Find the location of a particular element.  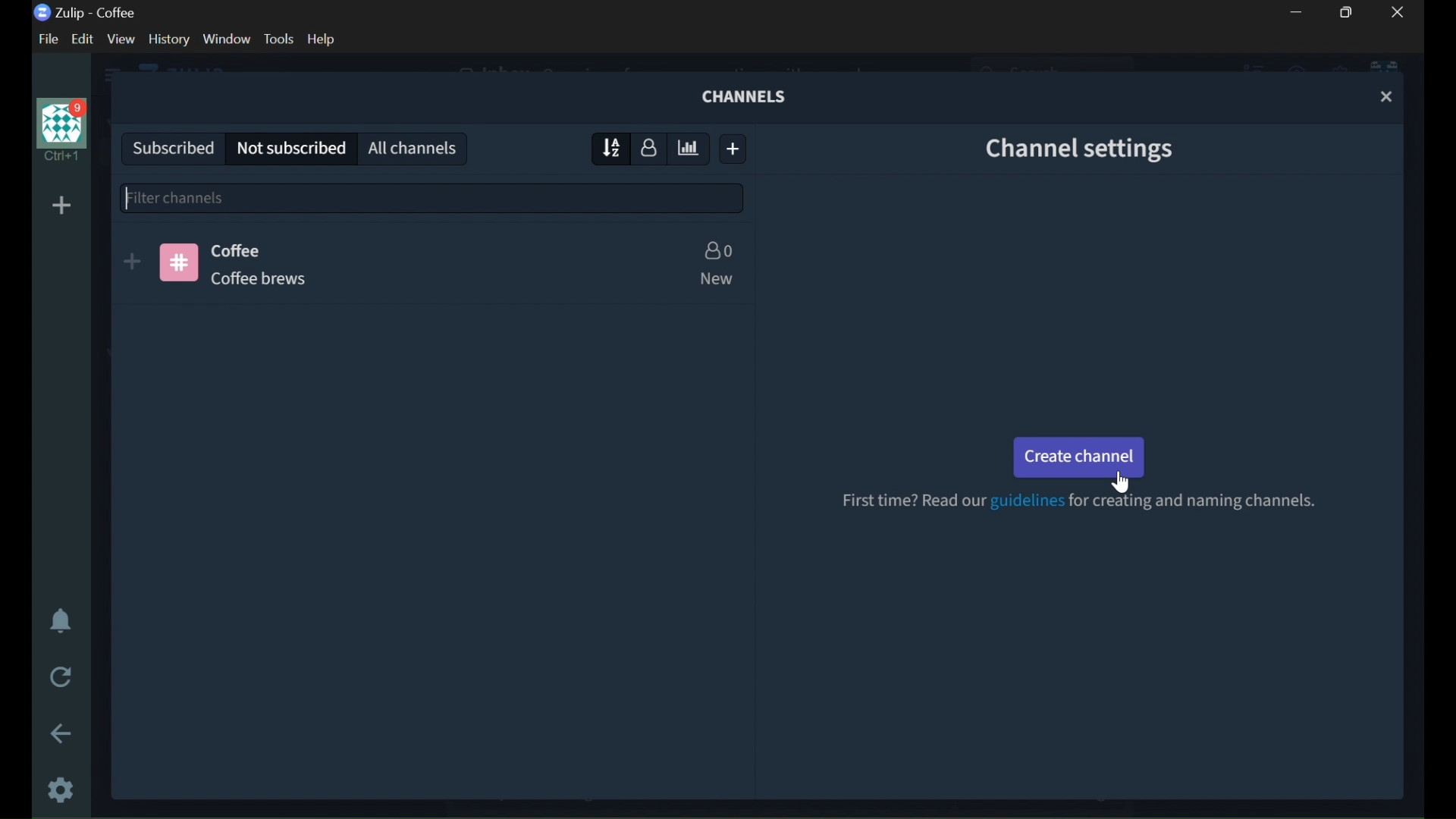

filter channels is located at coordinates (432, 196).